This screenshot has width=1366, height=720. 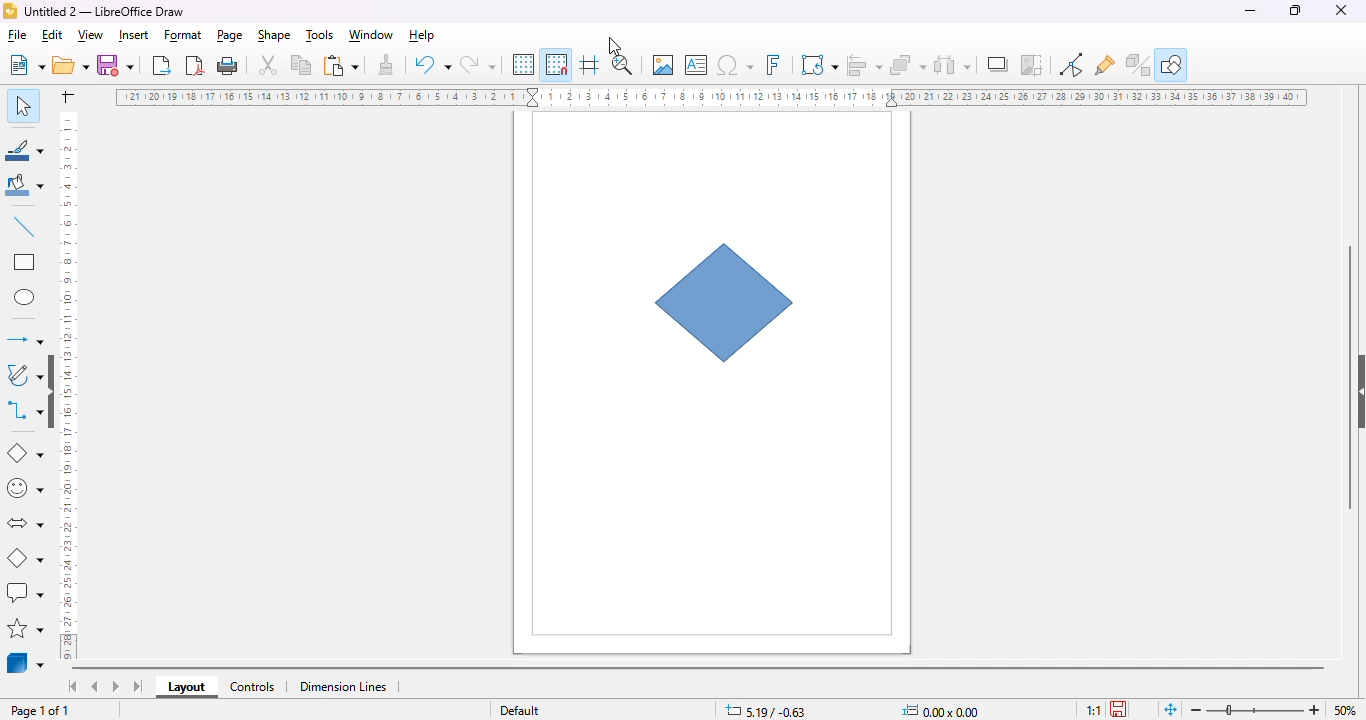 I want to click on select at least three objects to distribute, so click(x=954, y=65).